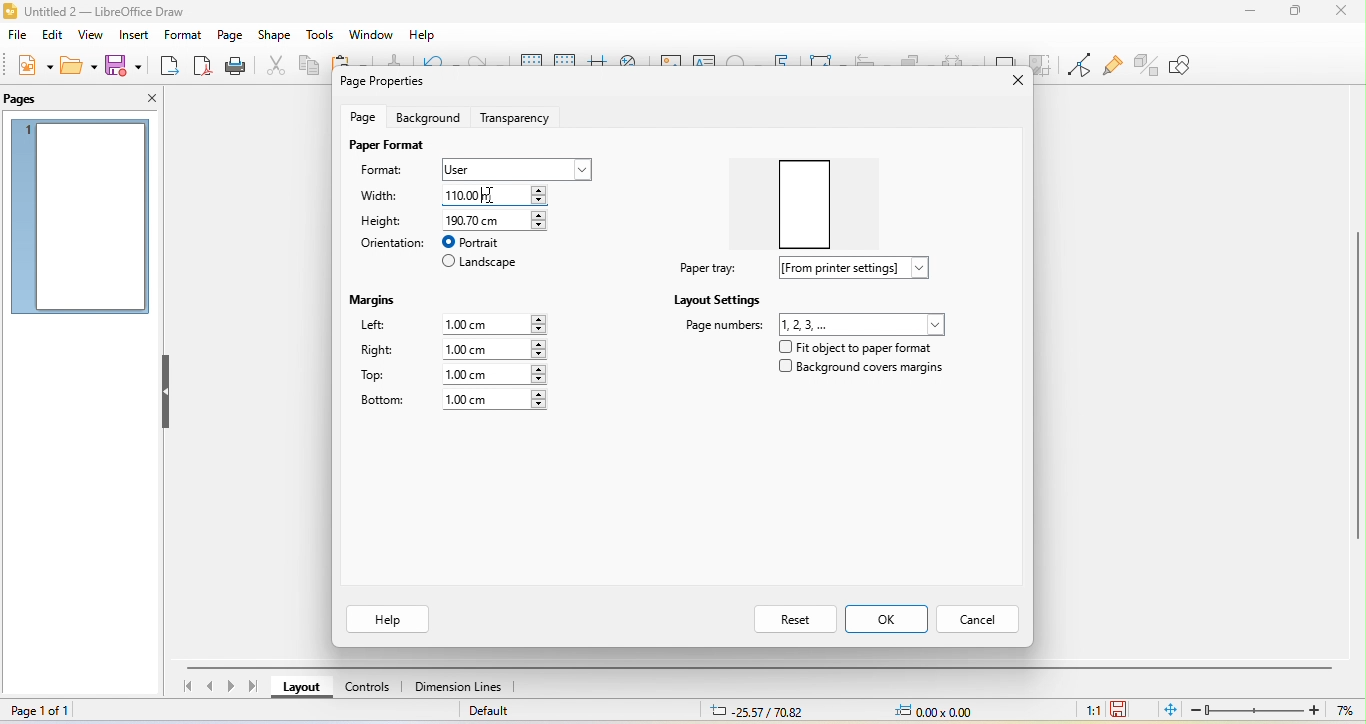 The image size is (1366, 724). What do you see at coordinates (793, 618) in the screenshot?
I see `reset` at bounding box center [793, 618].